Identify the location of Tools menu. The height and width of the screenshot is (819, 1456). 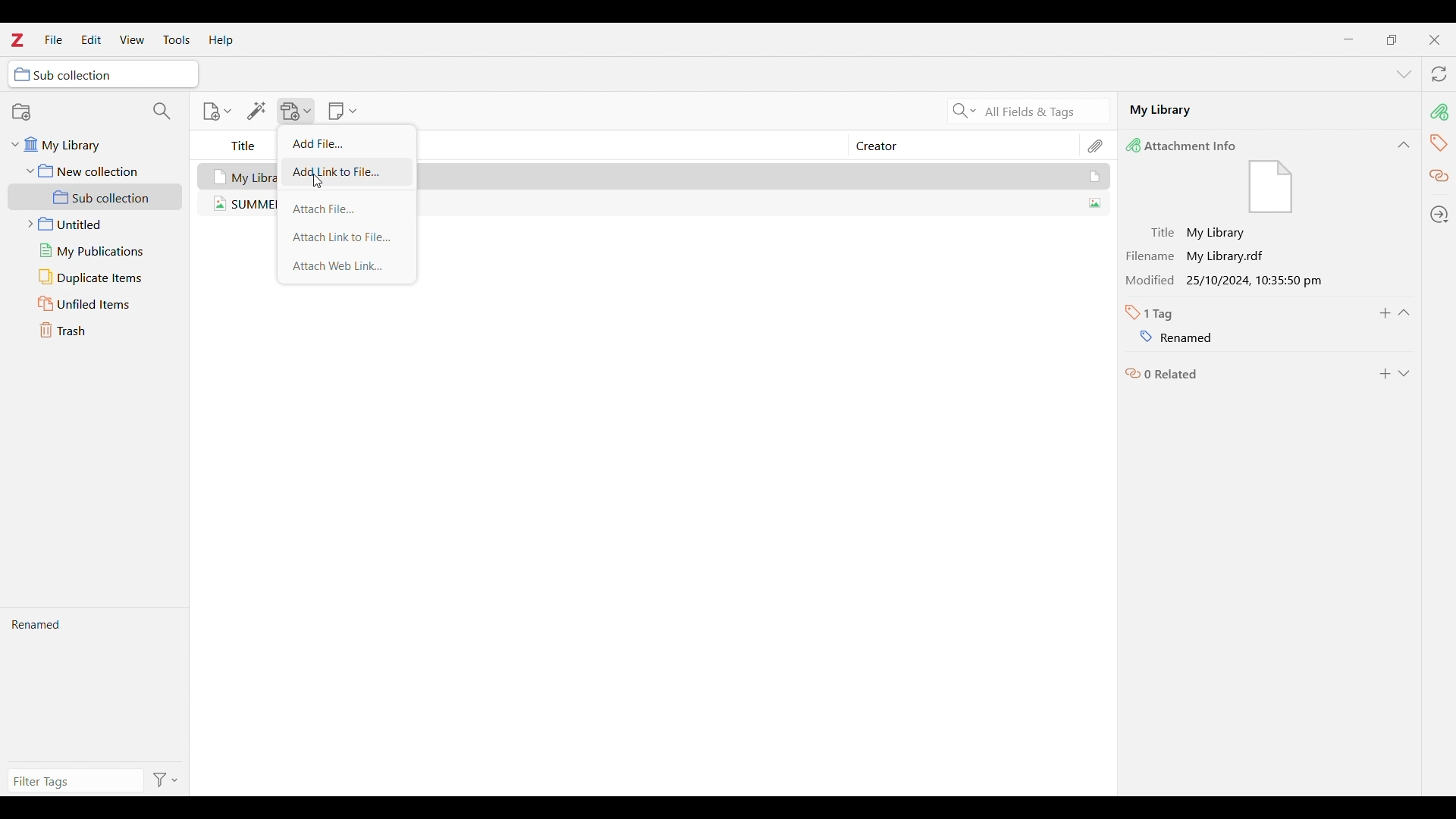
(176, 39).